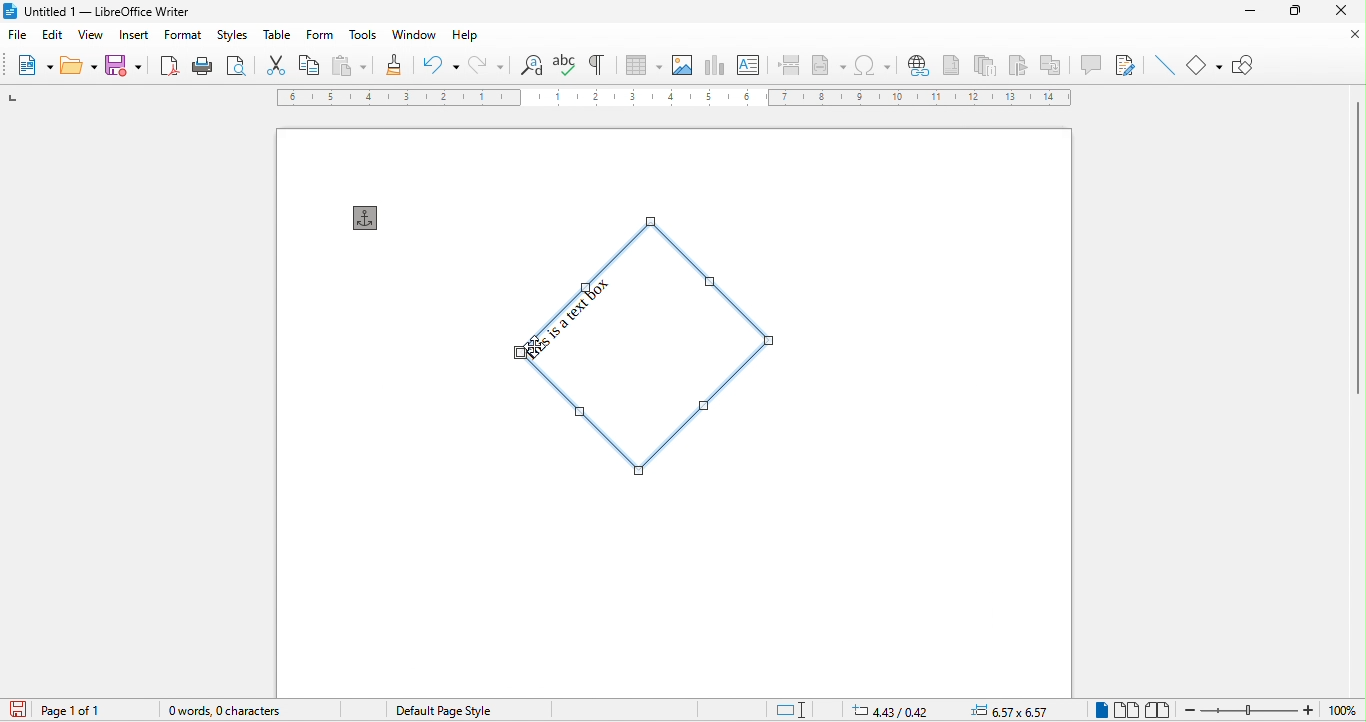 Image resolution: width=1366 pixels, height=722 pixels. I want to click on form, so click(316, 36).